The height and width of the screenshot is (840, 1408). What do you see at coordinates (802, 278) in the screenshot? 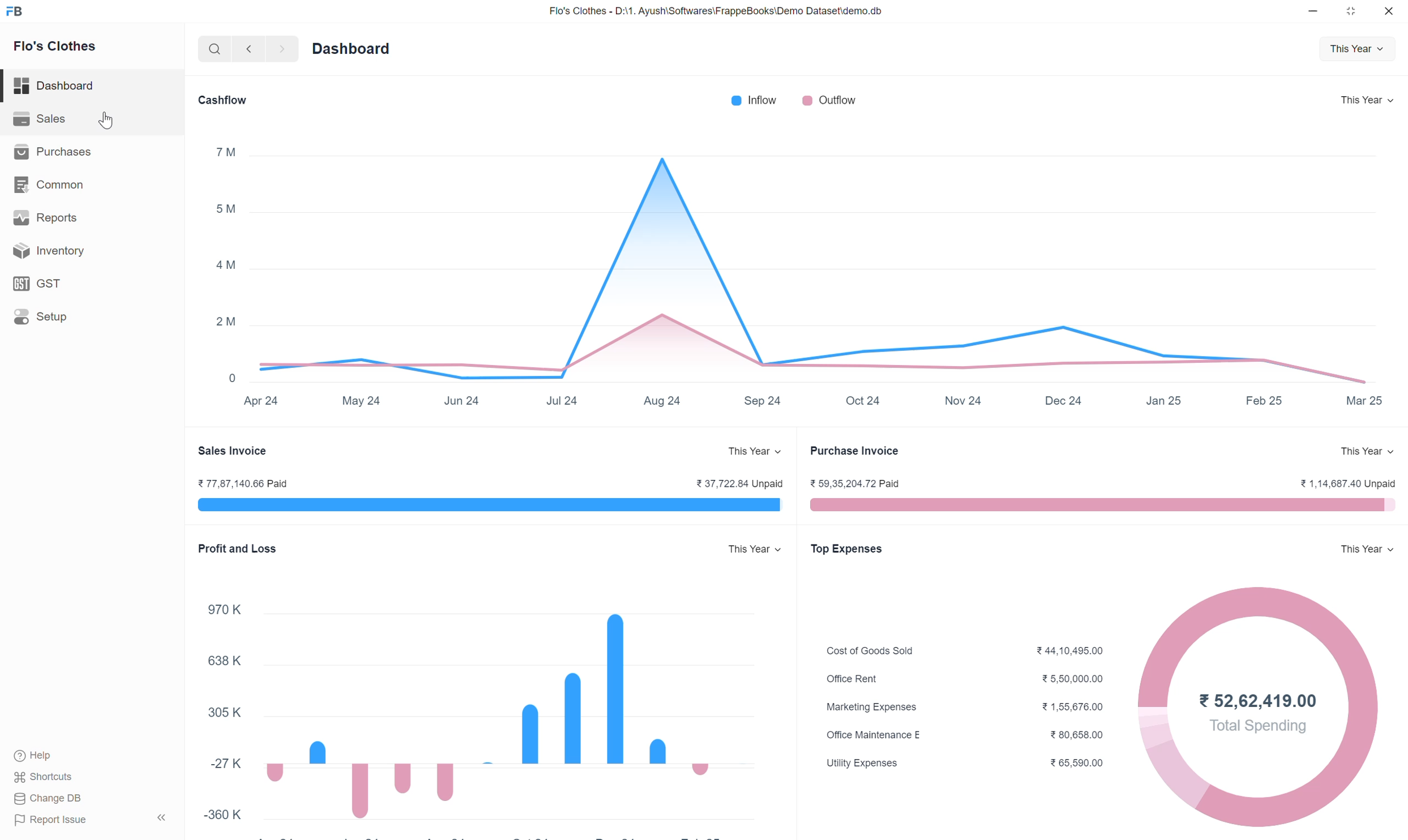
I see `cashflow graph ` at bounding box center [802, 278].